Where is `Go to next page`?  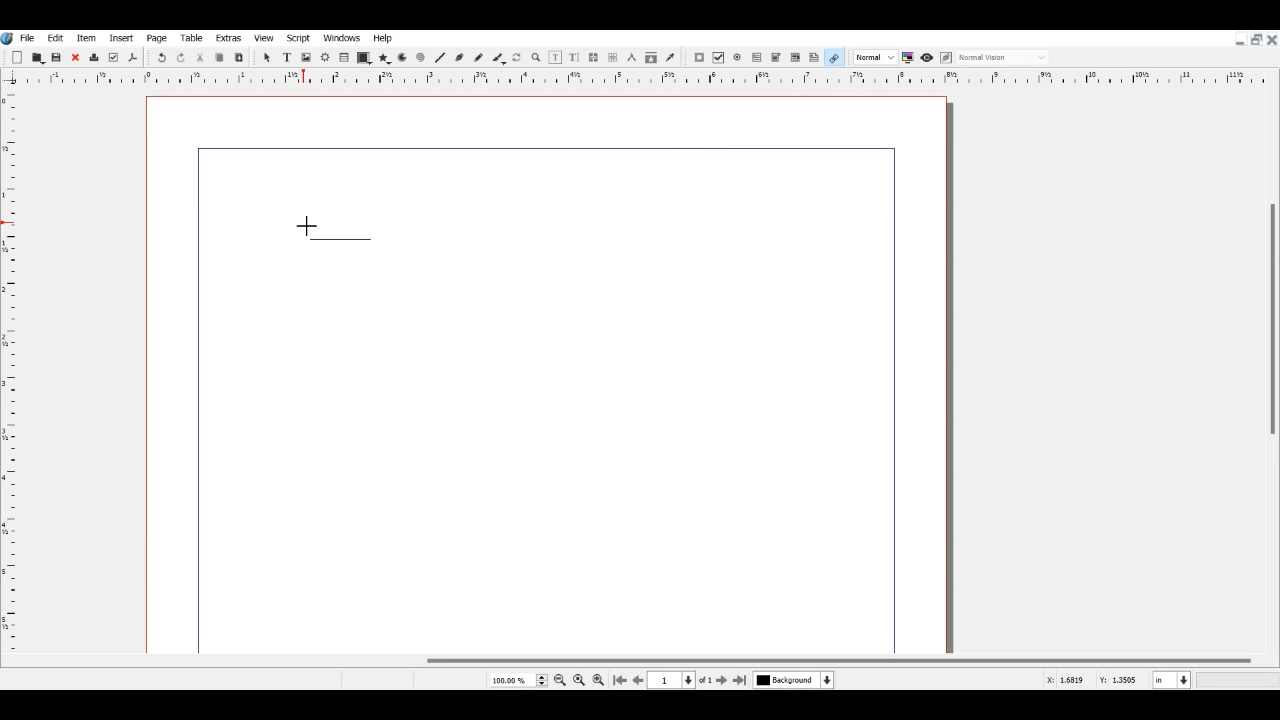
Go to next page is located at coordinates (723, 680).